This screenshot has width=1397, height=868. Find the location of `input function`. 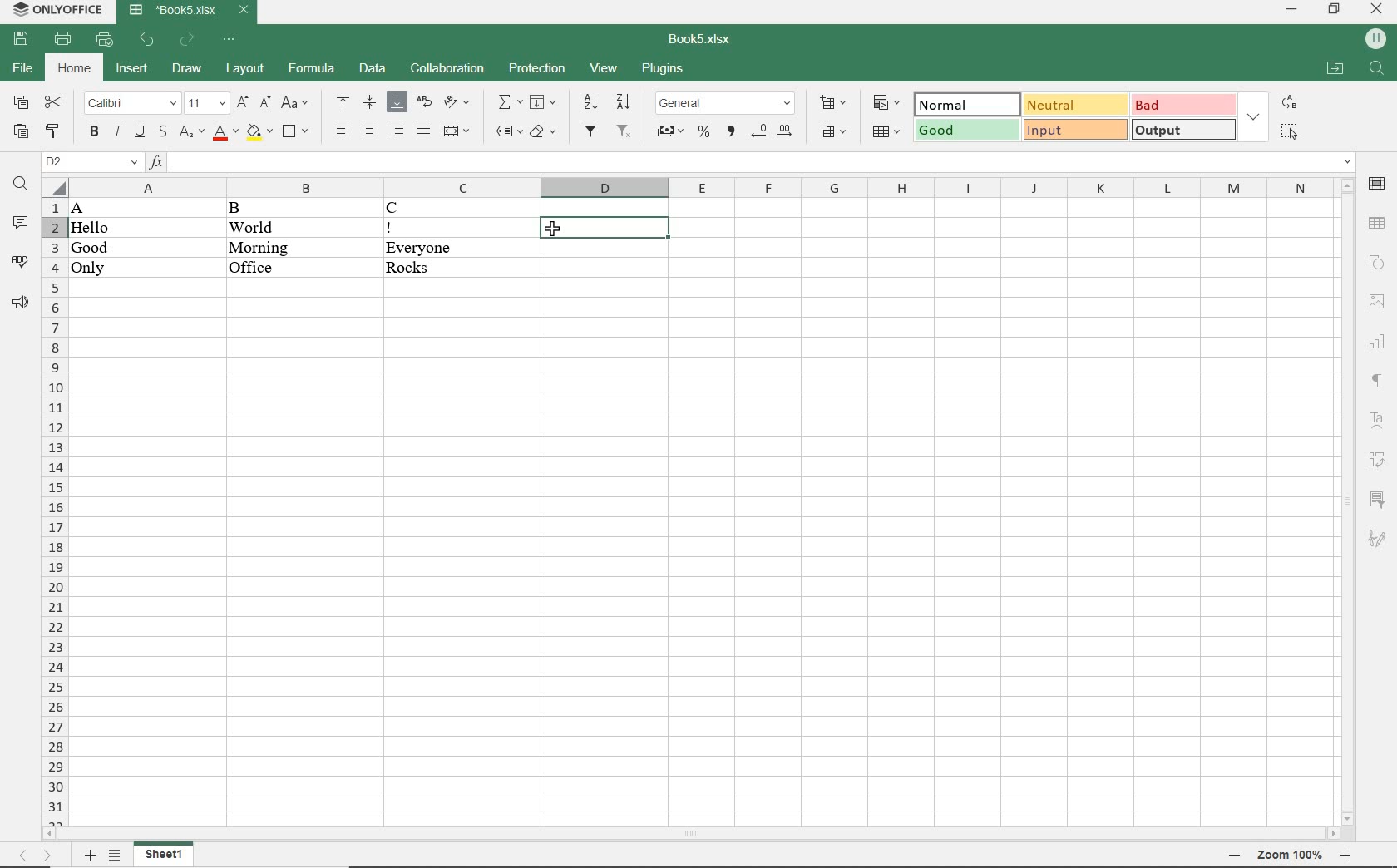

input function is located at coordinates (753, 163).